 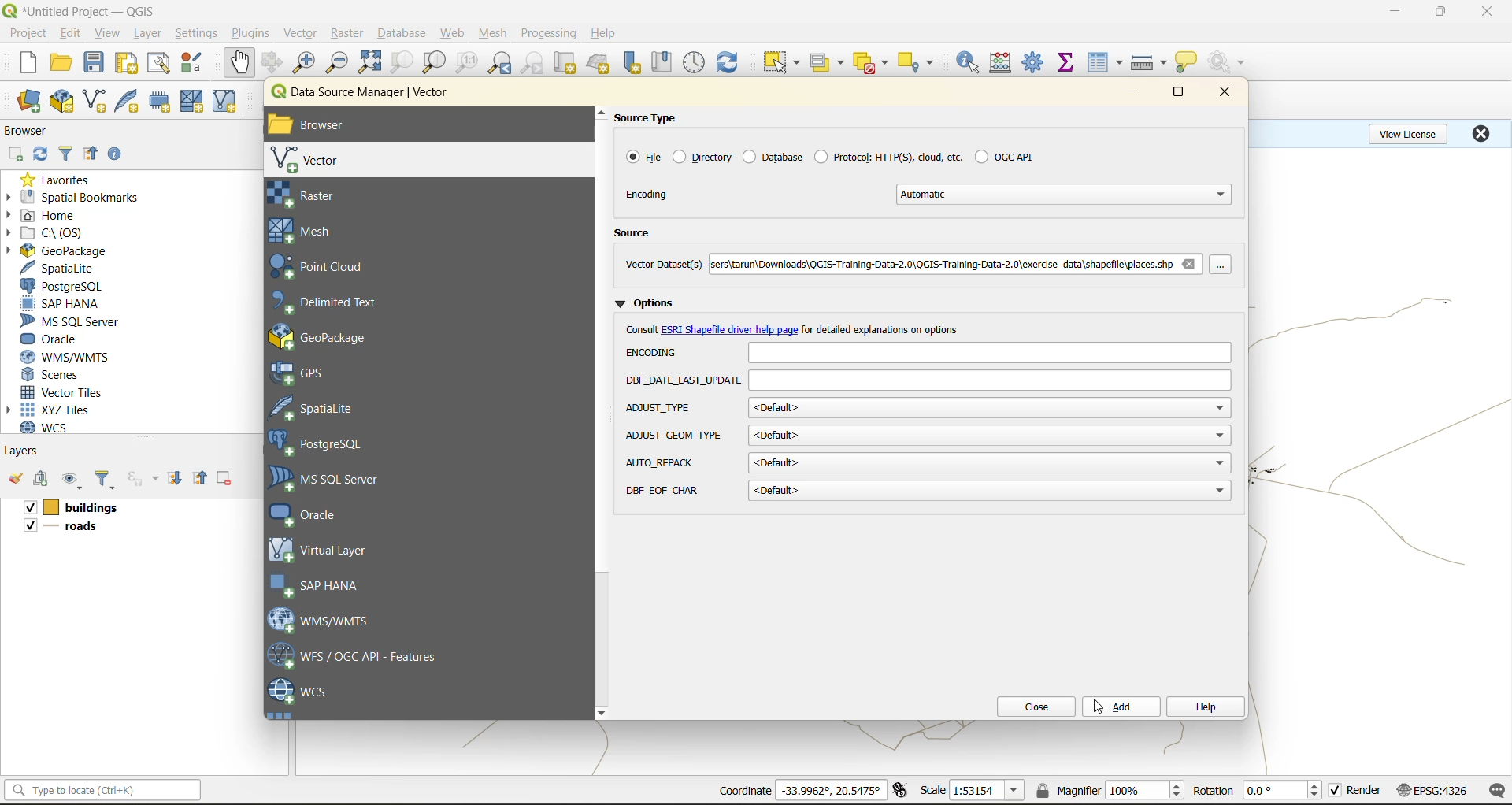 What do you see at coordinates (567, 65) in the screenshot?
I see `new map view` at bounding box center [567, 65].